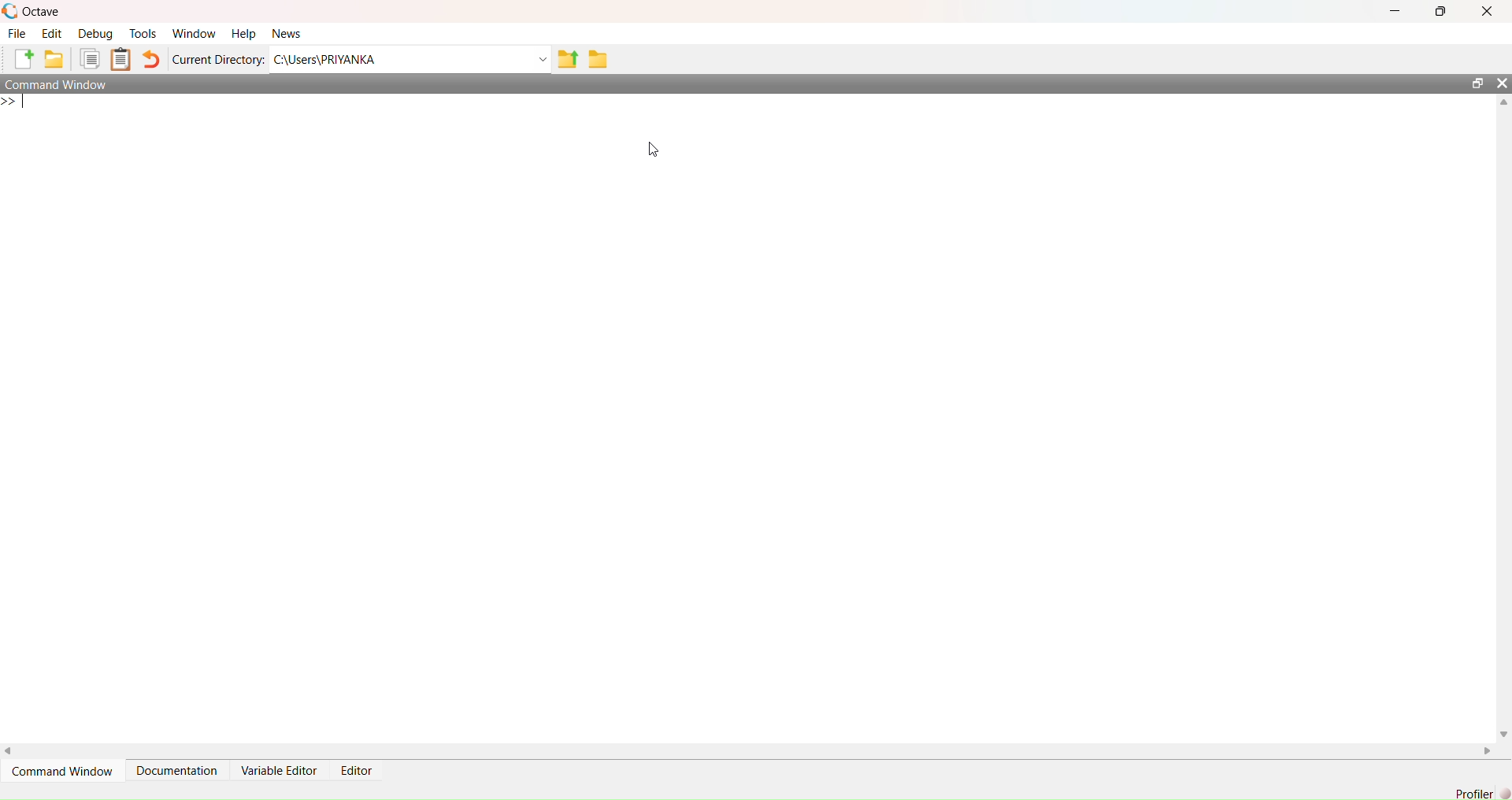  I want to click on Undo, so click(151, 59).